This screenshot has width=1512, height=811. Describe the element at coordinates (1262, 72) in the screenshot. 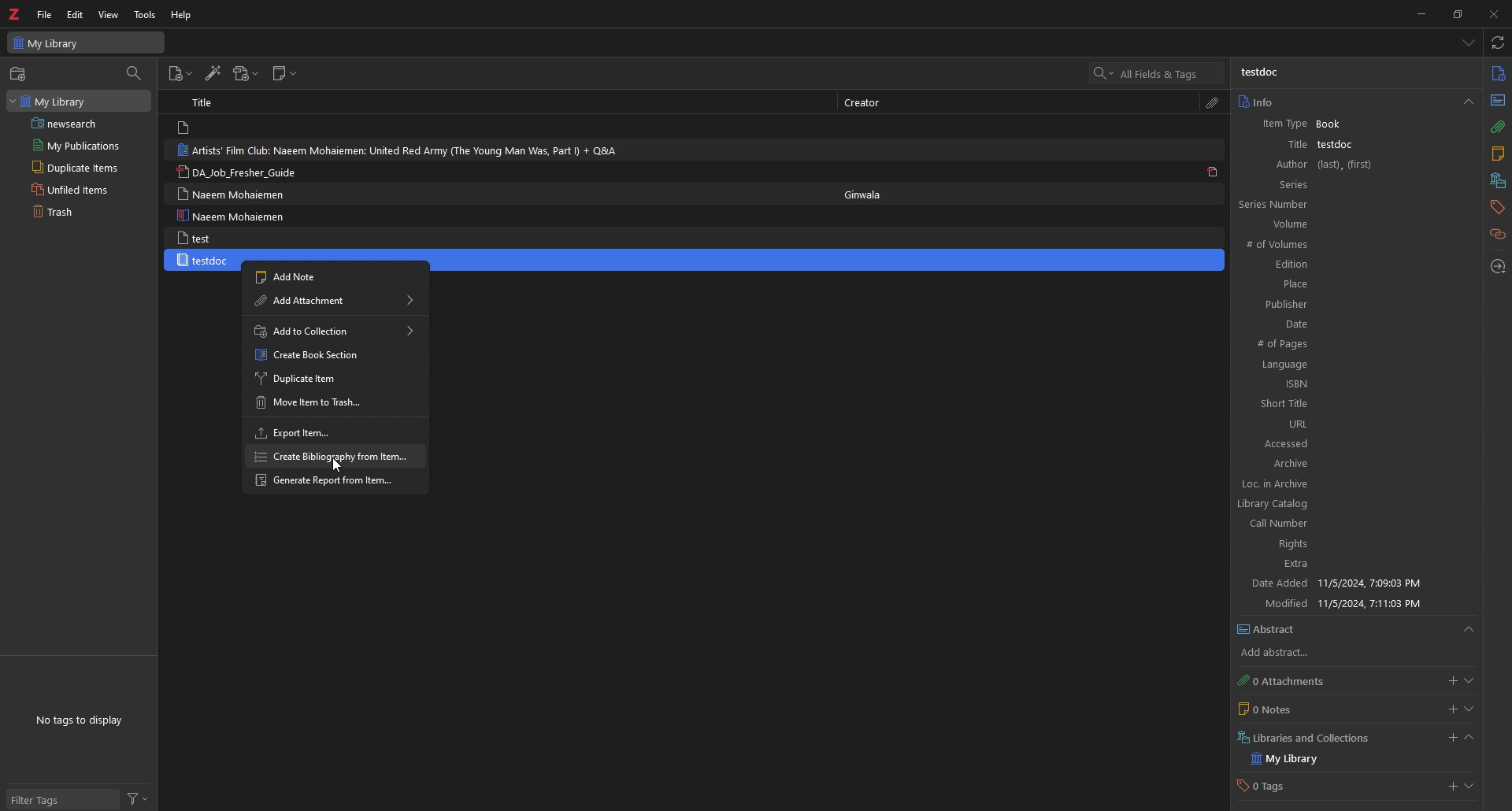

I see `testdoc` at that location.